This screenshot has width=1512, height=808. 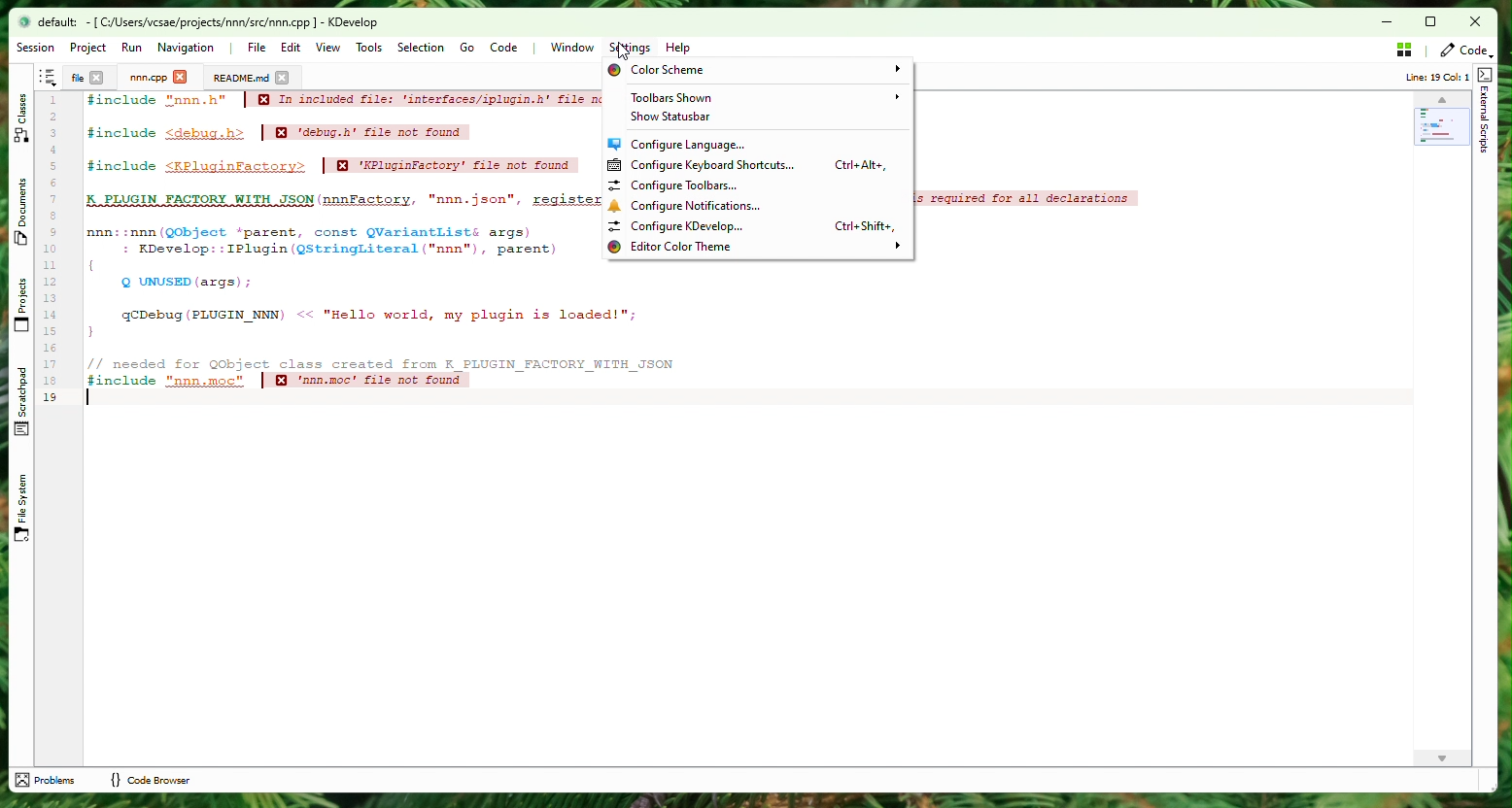 I want to click on 5, so click(x=52, y=166).